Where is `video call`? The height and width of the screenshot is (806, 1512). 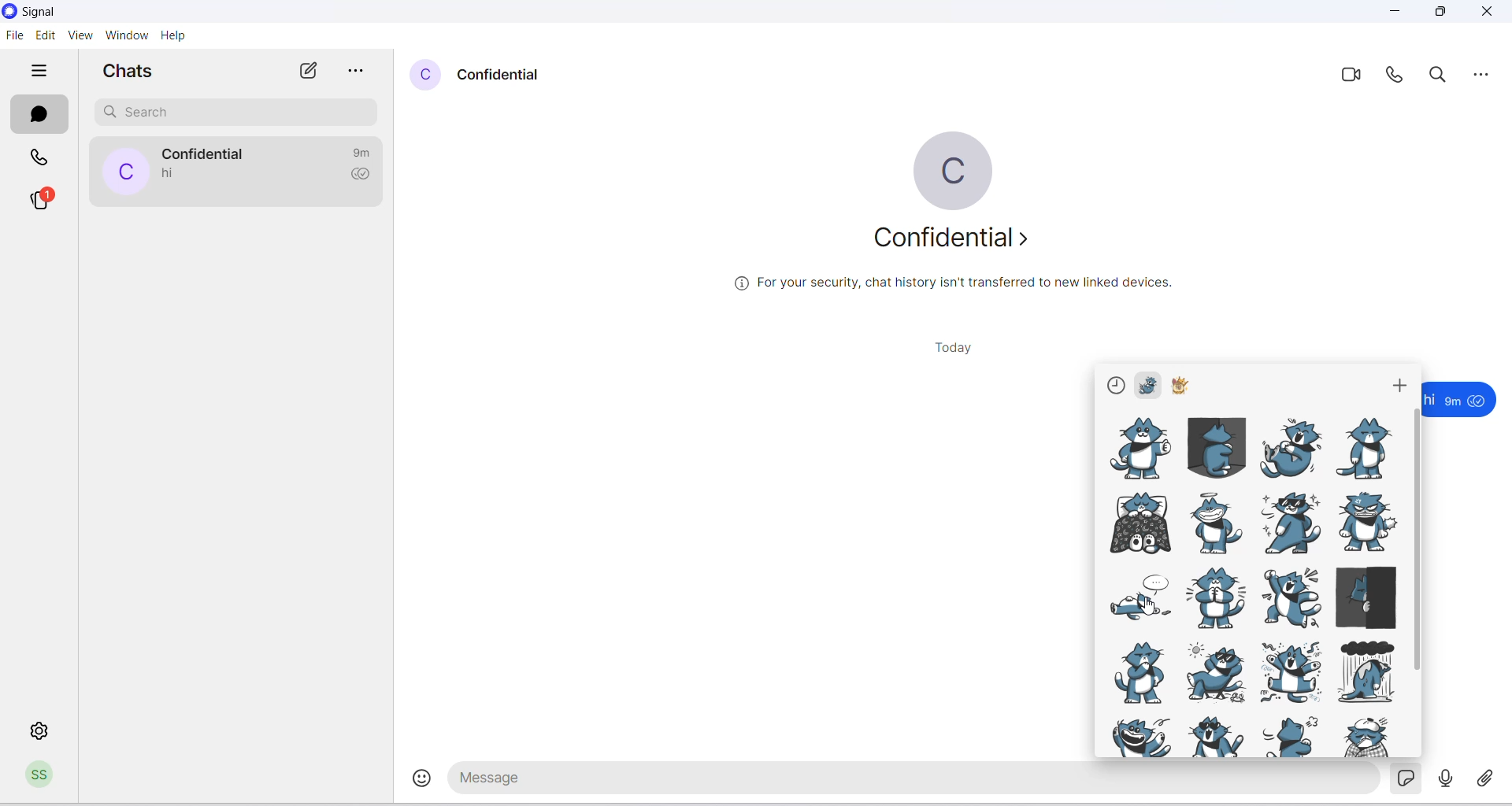
video call is located at coordinates (1350, 77).